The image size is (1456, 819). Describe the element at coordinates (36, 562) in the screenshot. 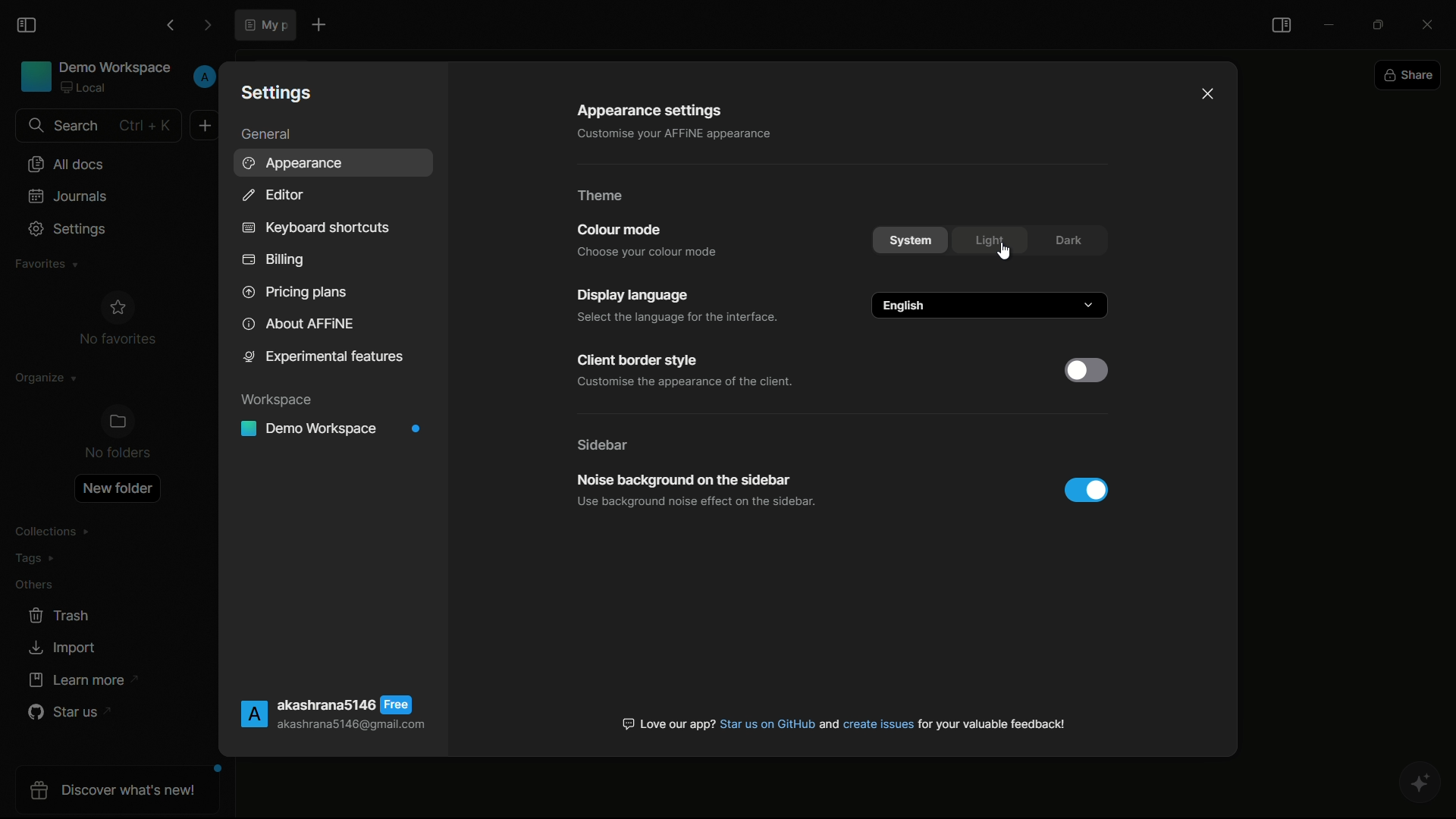

I see `tags` at that location.